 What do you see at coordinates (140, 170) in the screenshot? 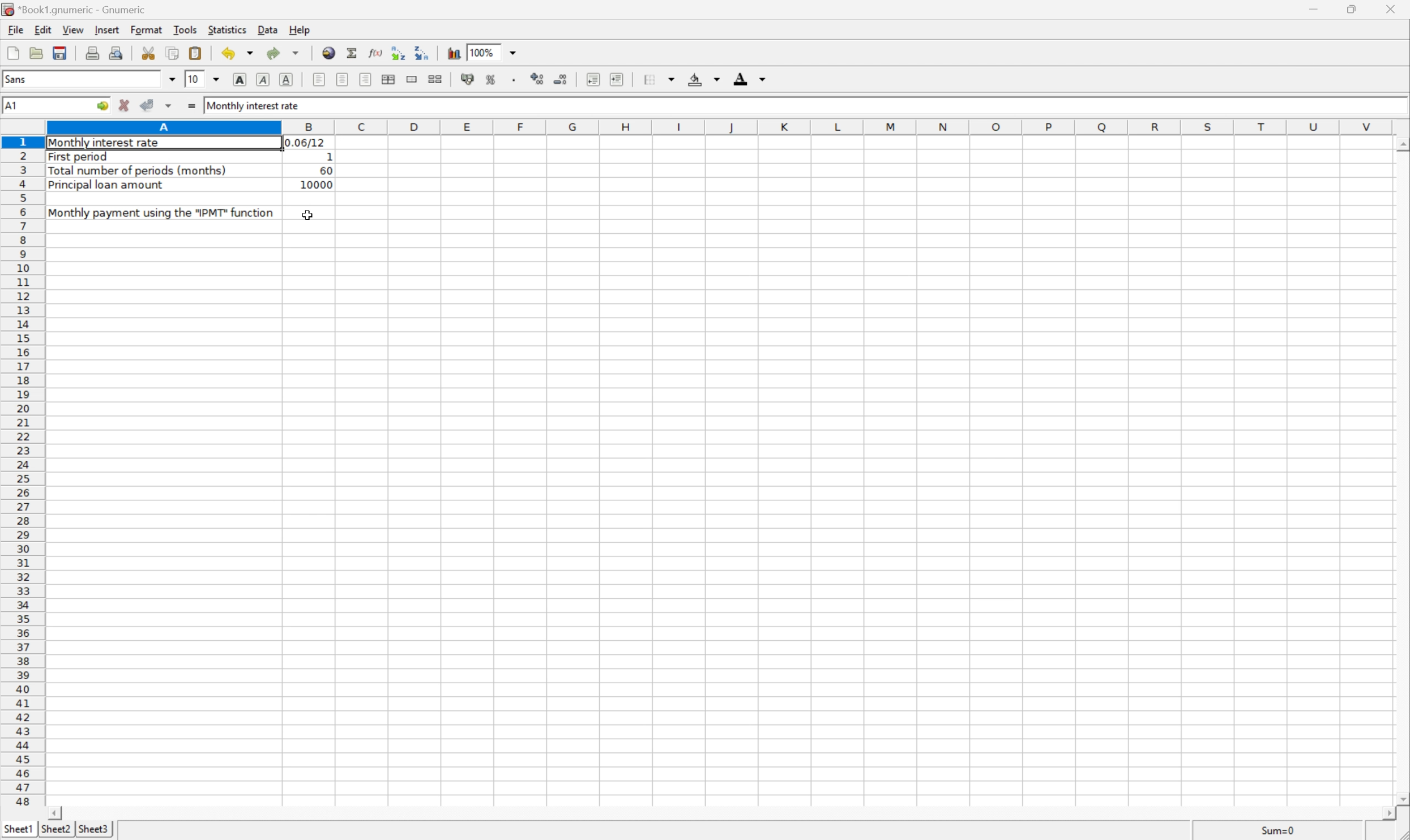
I see `Total number of periods (months)` at bounding box center [140, 170].